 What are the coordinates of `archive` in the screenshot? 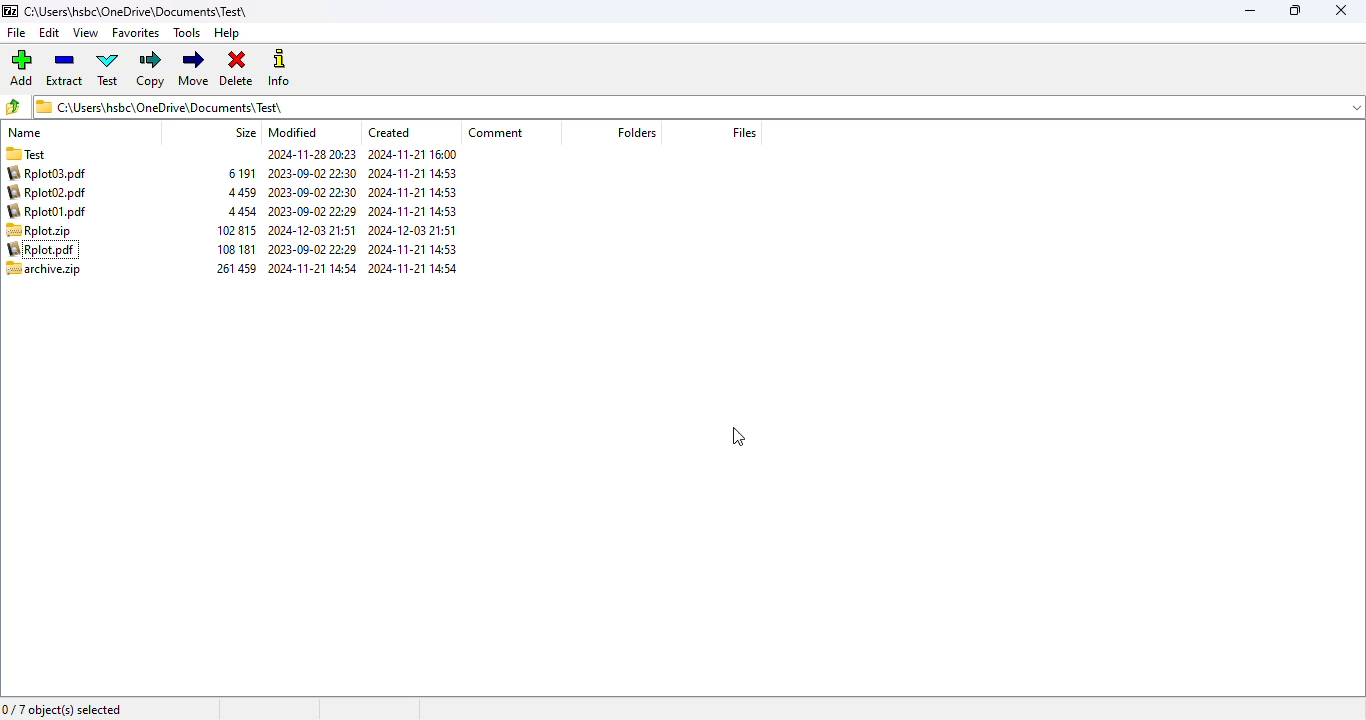 It's located at (55, 271).